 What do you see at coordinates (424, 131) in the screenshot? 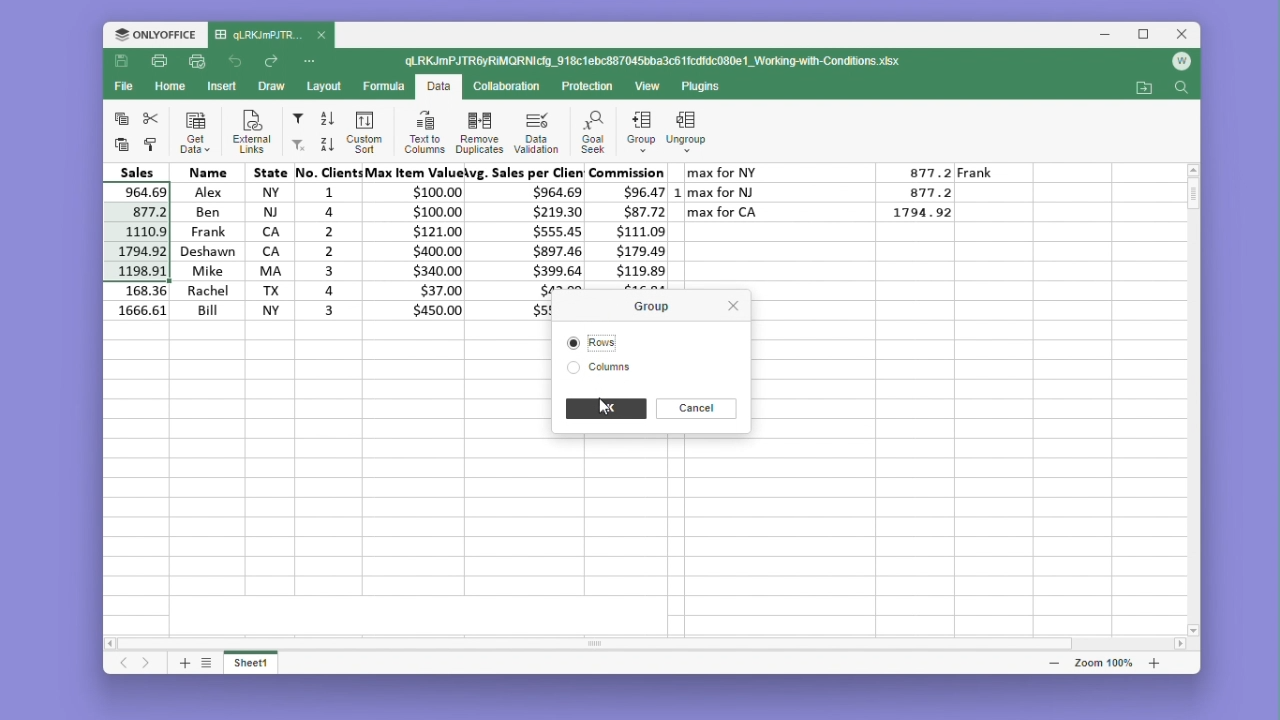
I see `Text to columns` at bounding box center [424, 131].